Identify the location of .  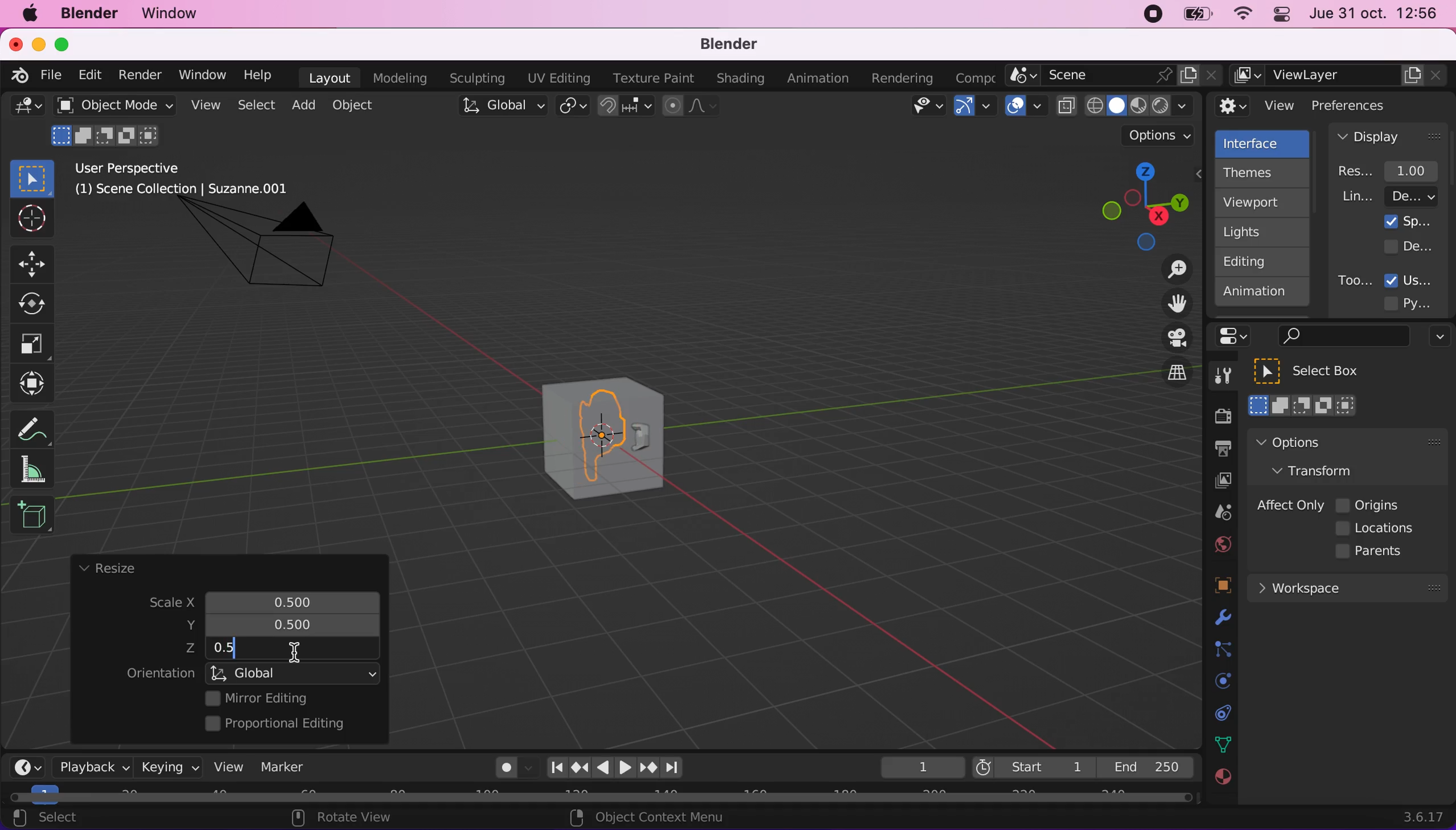
(32, 344).